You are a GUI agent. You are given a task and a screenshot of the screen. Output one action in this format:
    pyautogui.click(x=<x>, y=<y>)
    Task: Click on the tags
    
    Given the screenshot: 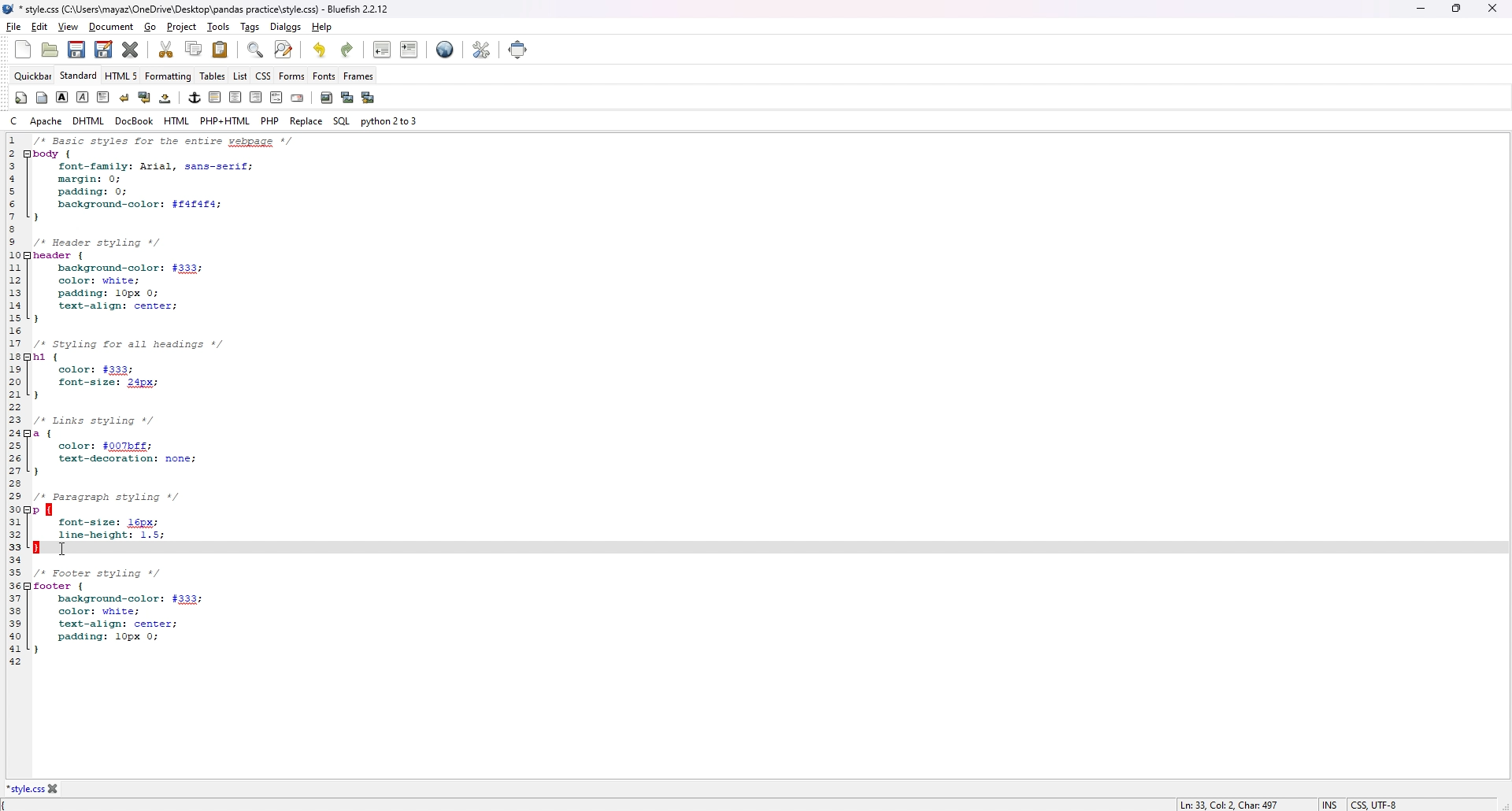 What is the action you would take?
    pyautogui.click(x=248, y=26)
    